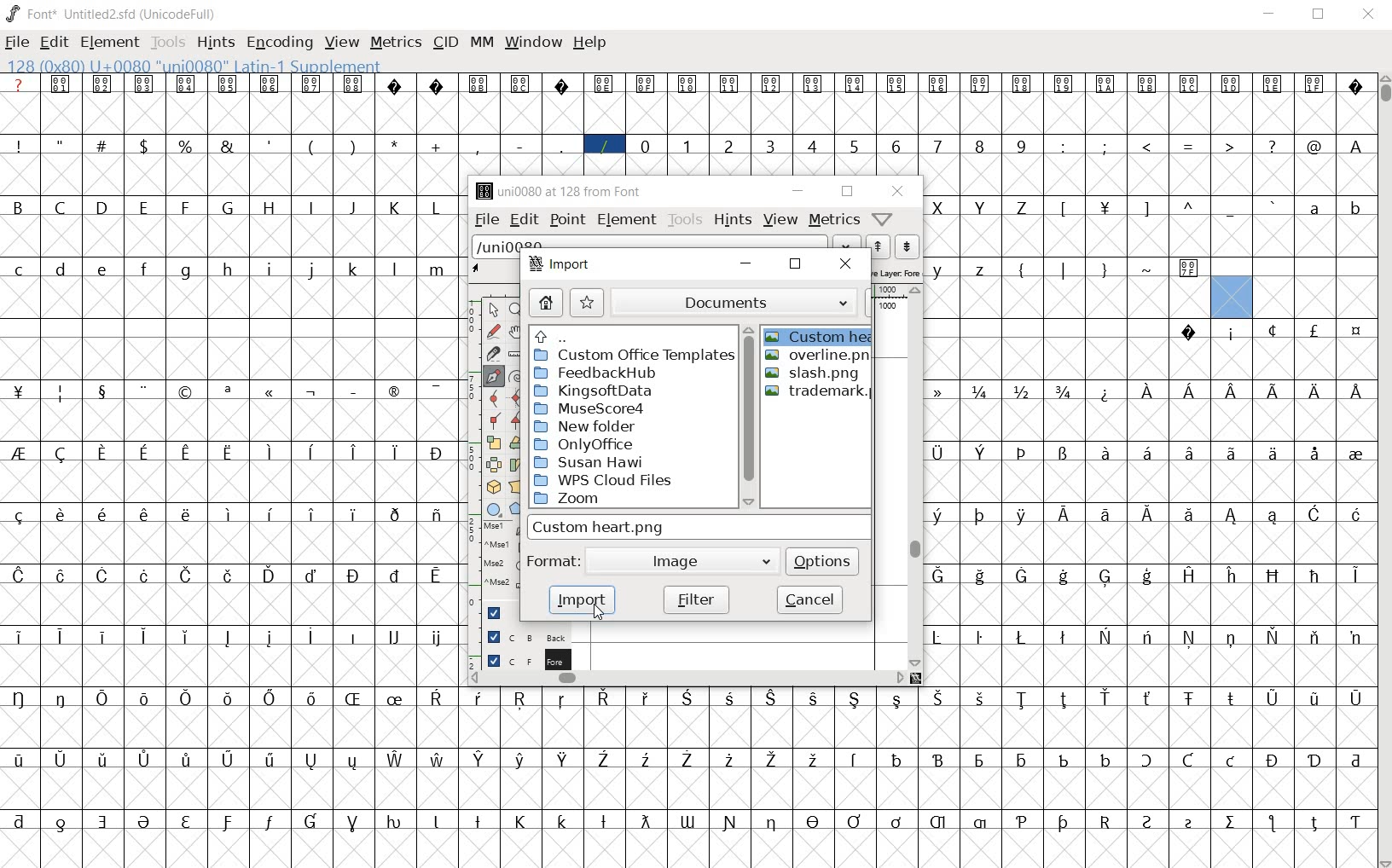 Image resolution: width=1392 pixels, height=868 pixels. Describe the element at coordinates (604, 697) in the screenshot. I see `glyph` at that location.